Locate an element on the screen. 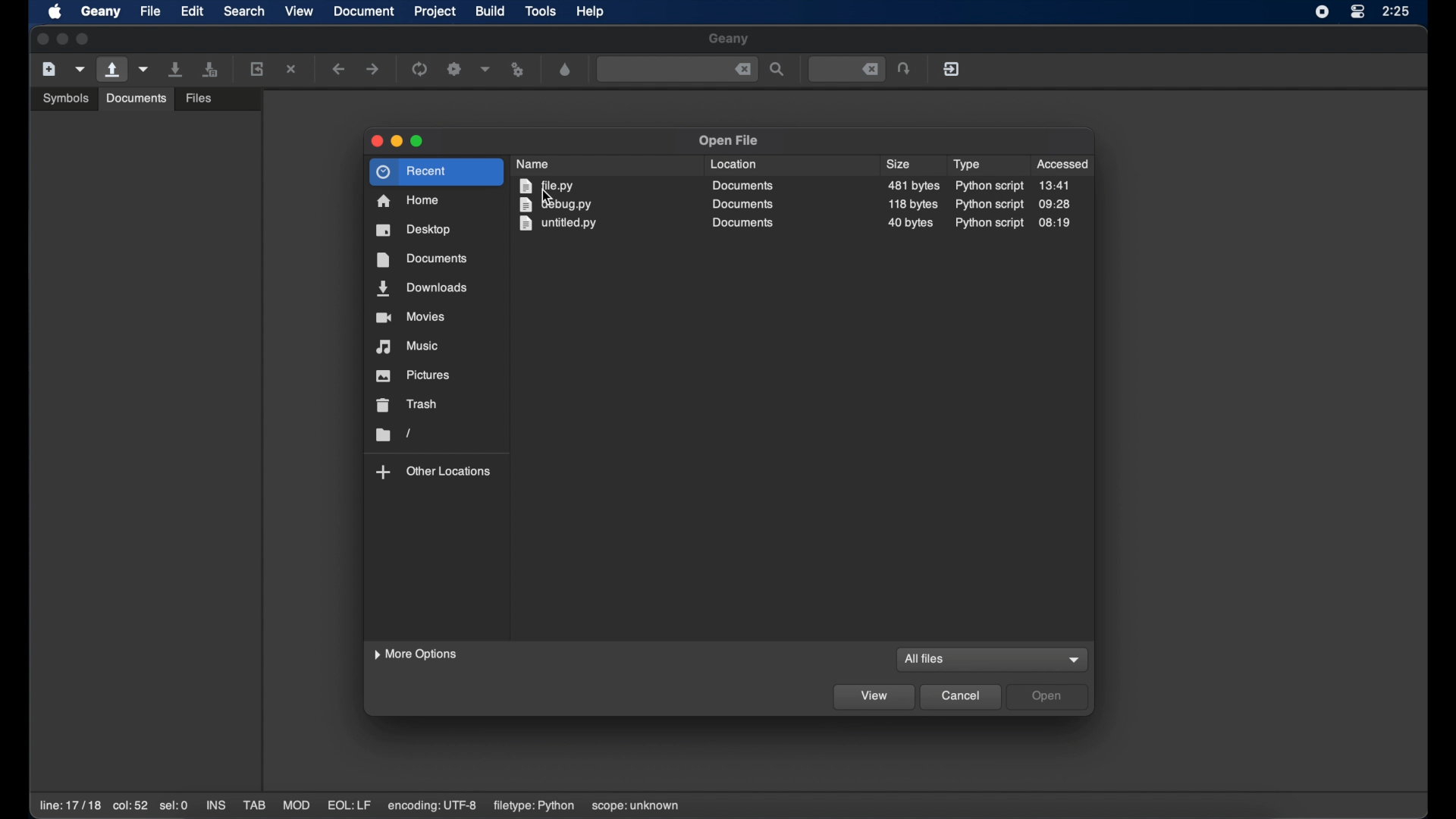 This screenshot has width=1456, height=819. minimize is located at coordinates (61, 39).